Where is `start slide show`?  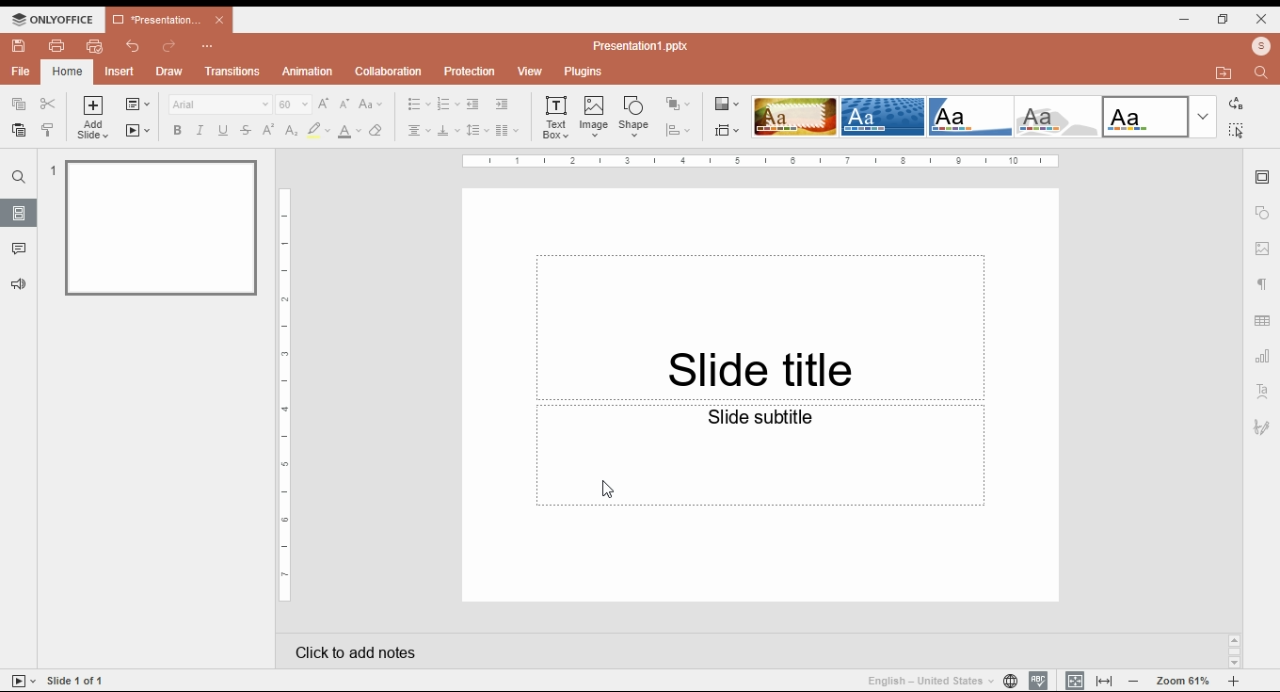 start slide show is located at coordinates (24, 681).